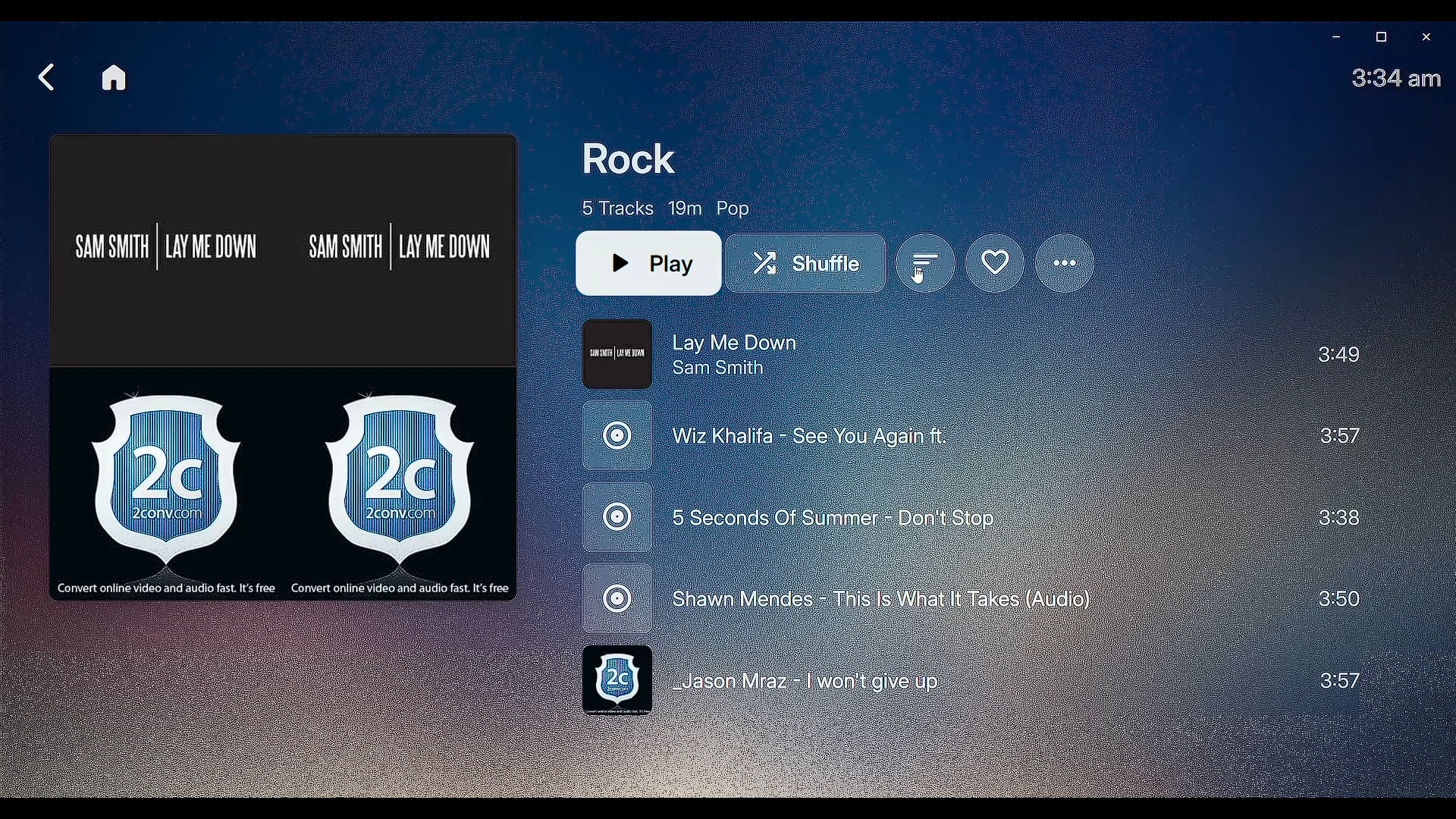 The height and width of the screenshot is (819, 1456). What do you see at coordinates (666, 207) in the screenshot?
I see `Playlist details` at bounding box center [666, 207].